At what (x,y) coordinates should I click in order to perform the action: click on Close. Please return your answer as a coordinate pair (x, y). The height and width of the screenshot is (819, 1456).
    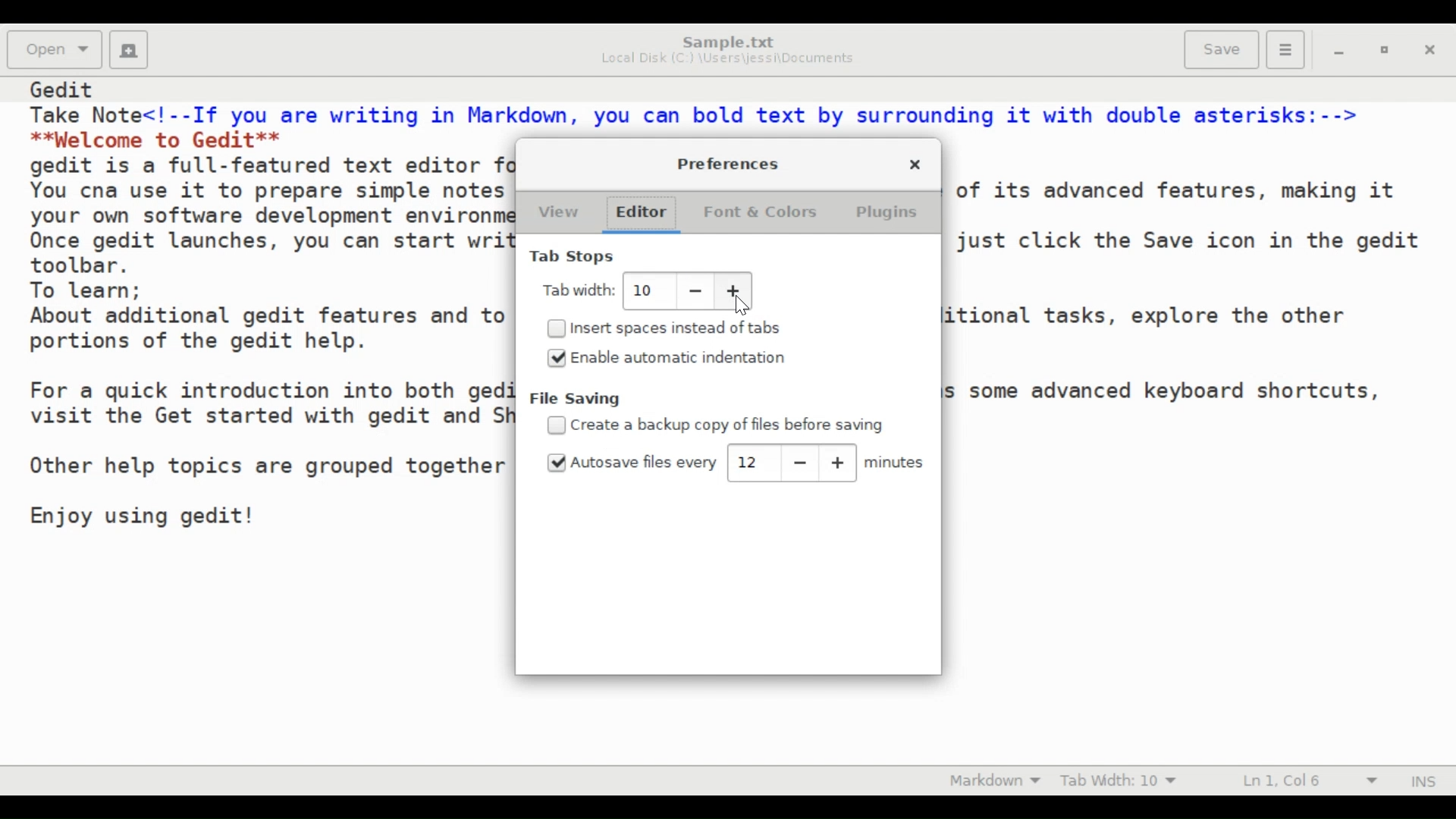
    Looking at the image, I should click on (914, 165).